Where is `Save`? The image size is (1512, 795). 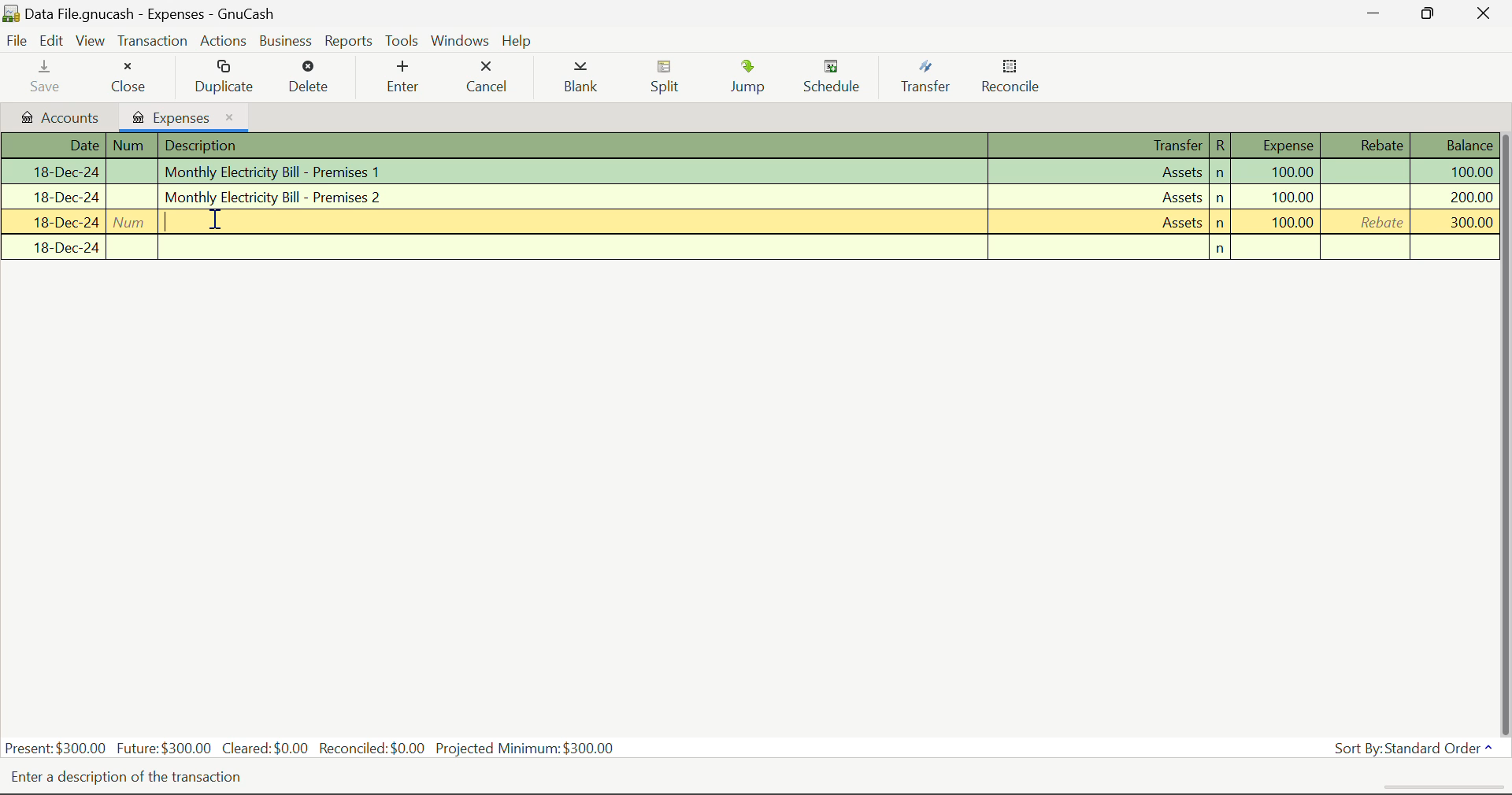
Save is located at coordinates (49, 78).